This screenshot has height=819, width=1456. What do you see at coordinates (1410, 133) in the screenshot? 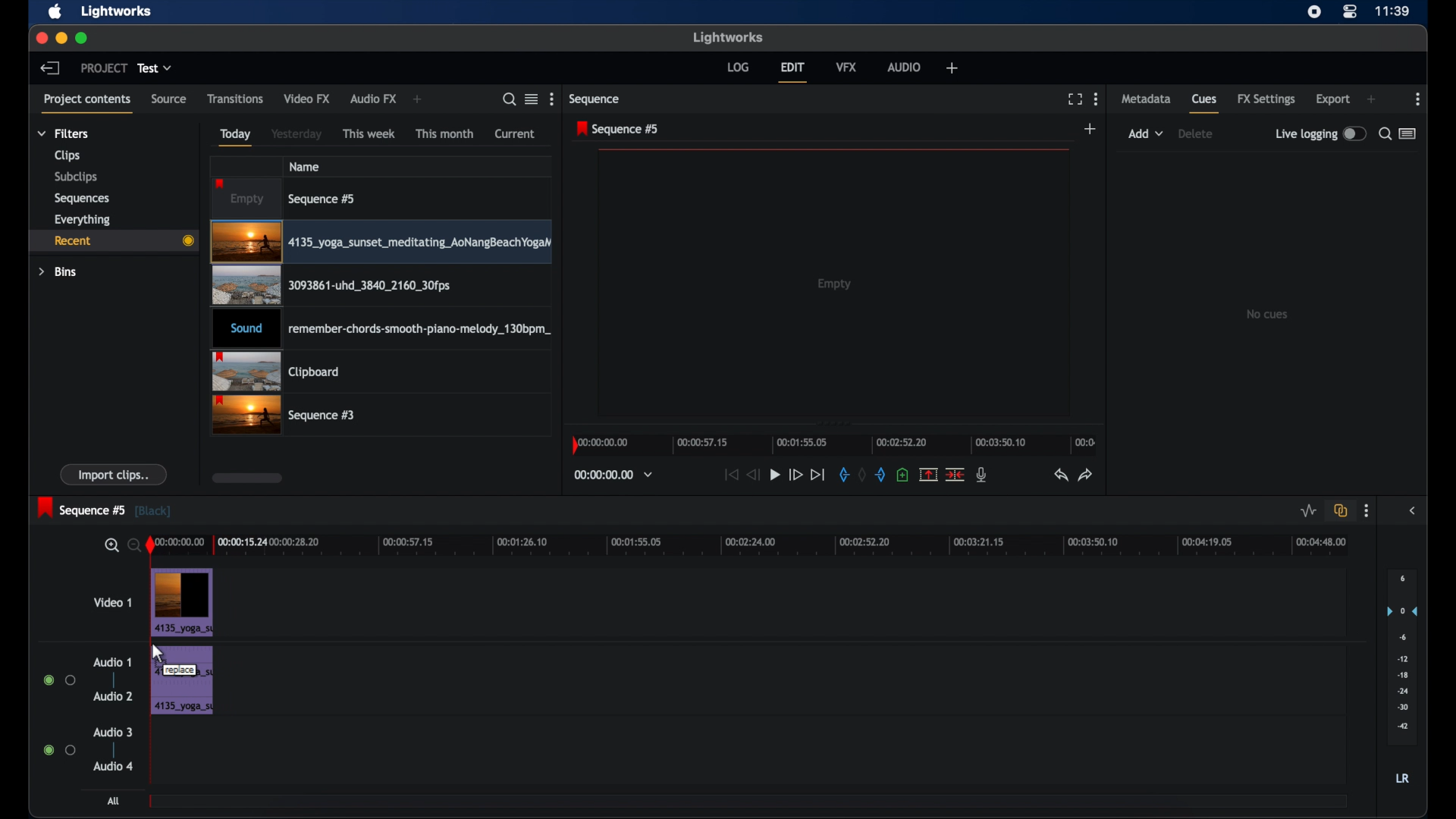
I see `toggle list or logger view` at bounding box center [1410, 133].